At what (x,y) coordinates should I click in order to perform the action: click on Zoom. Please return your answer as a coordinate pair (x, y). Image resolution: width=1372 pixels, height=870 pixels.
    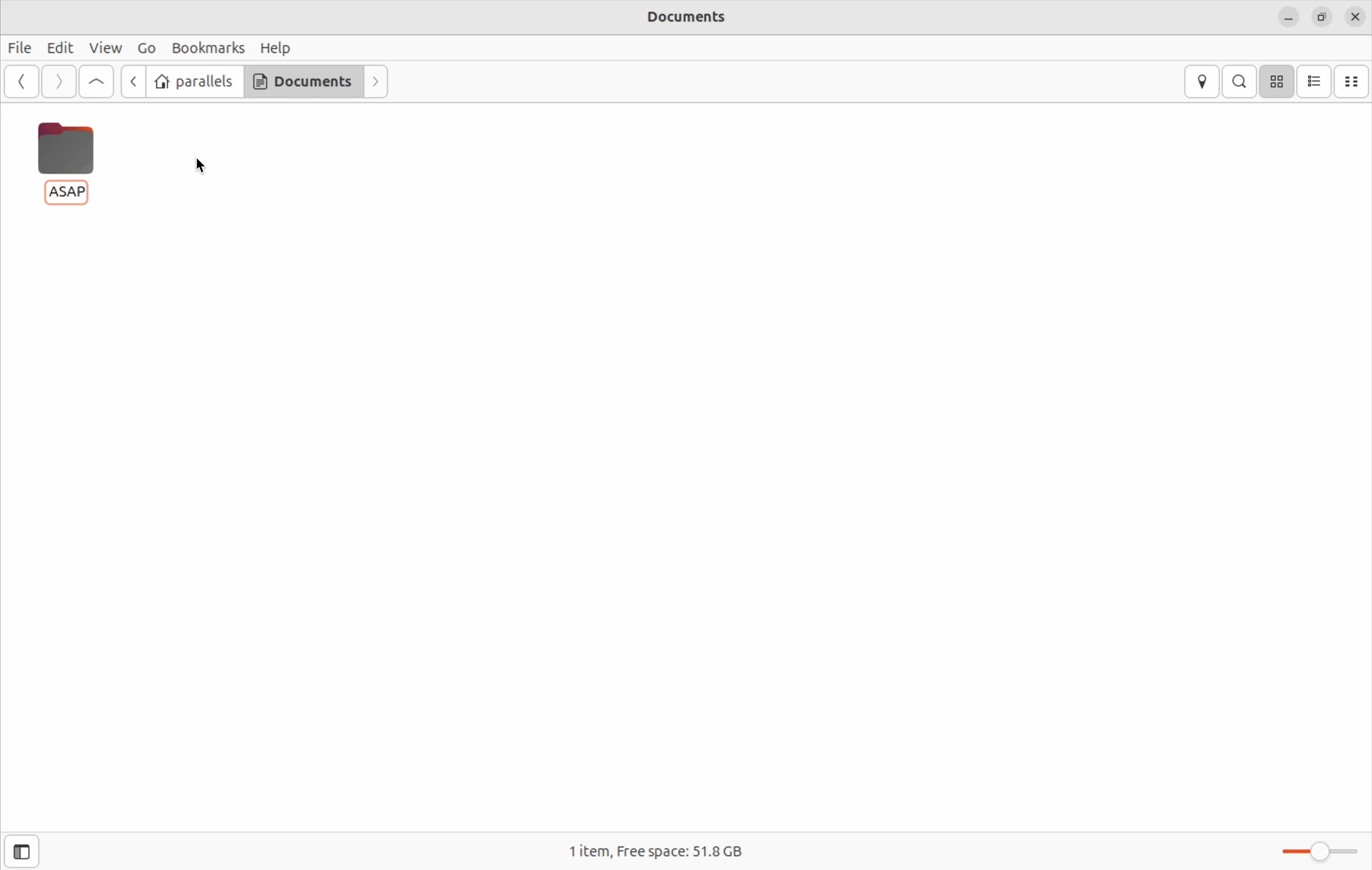
    Looking at the image, I should click on (1318, 848).